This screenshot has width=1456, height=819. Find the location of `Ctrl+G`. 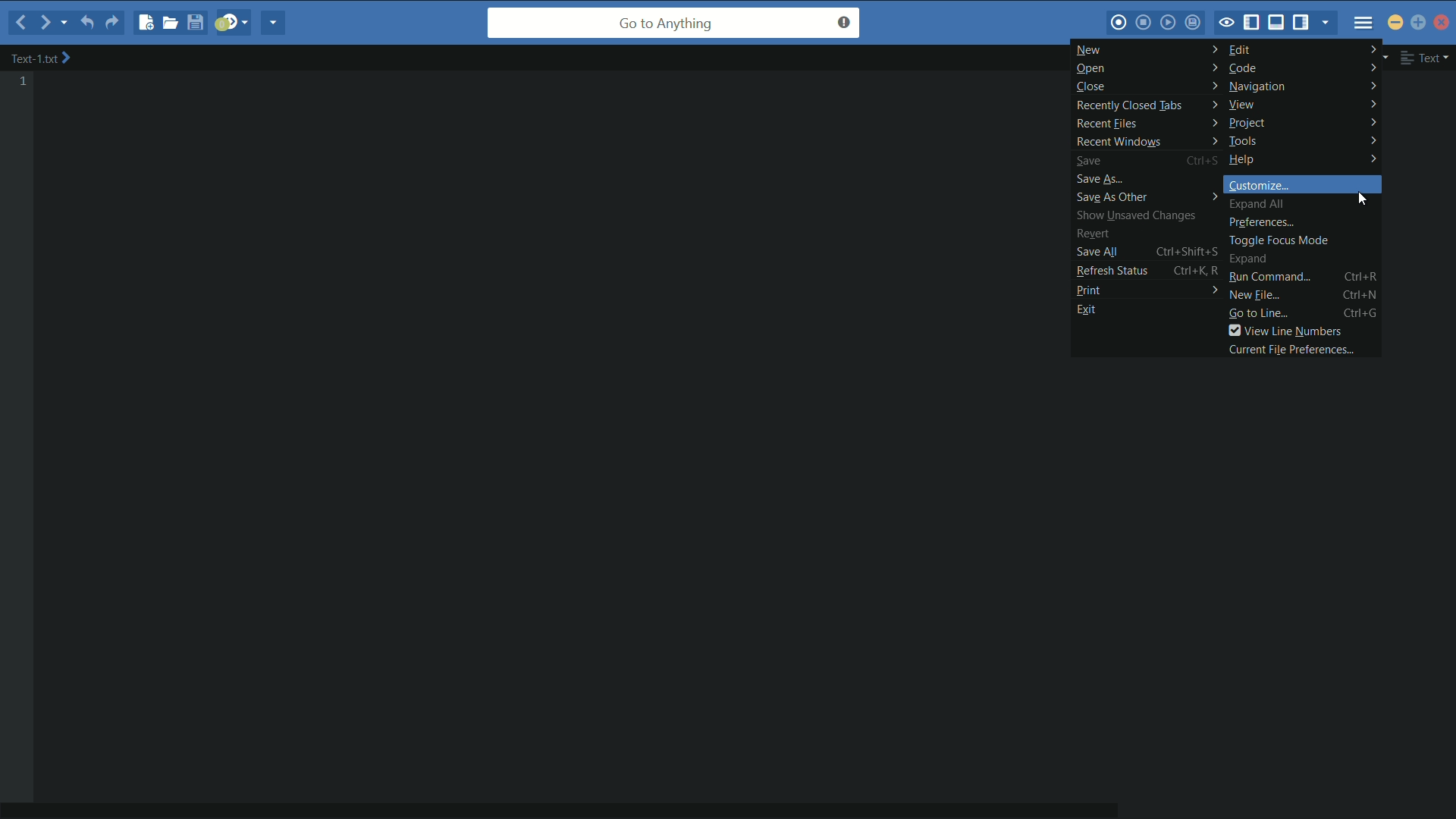

Ctrl+G is located at coordinates (1363, 314).